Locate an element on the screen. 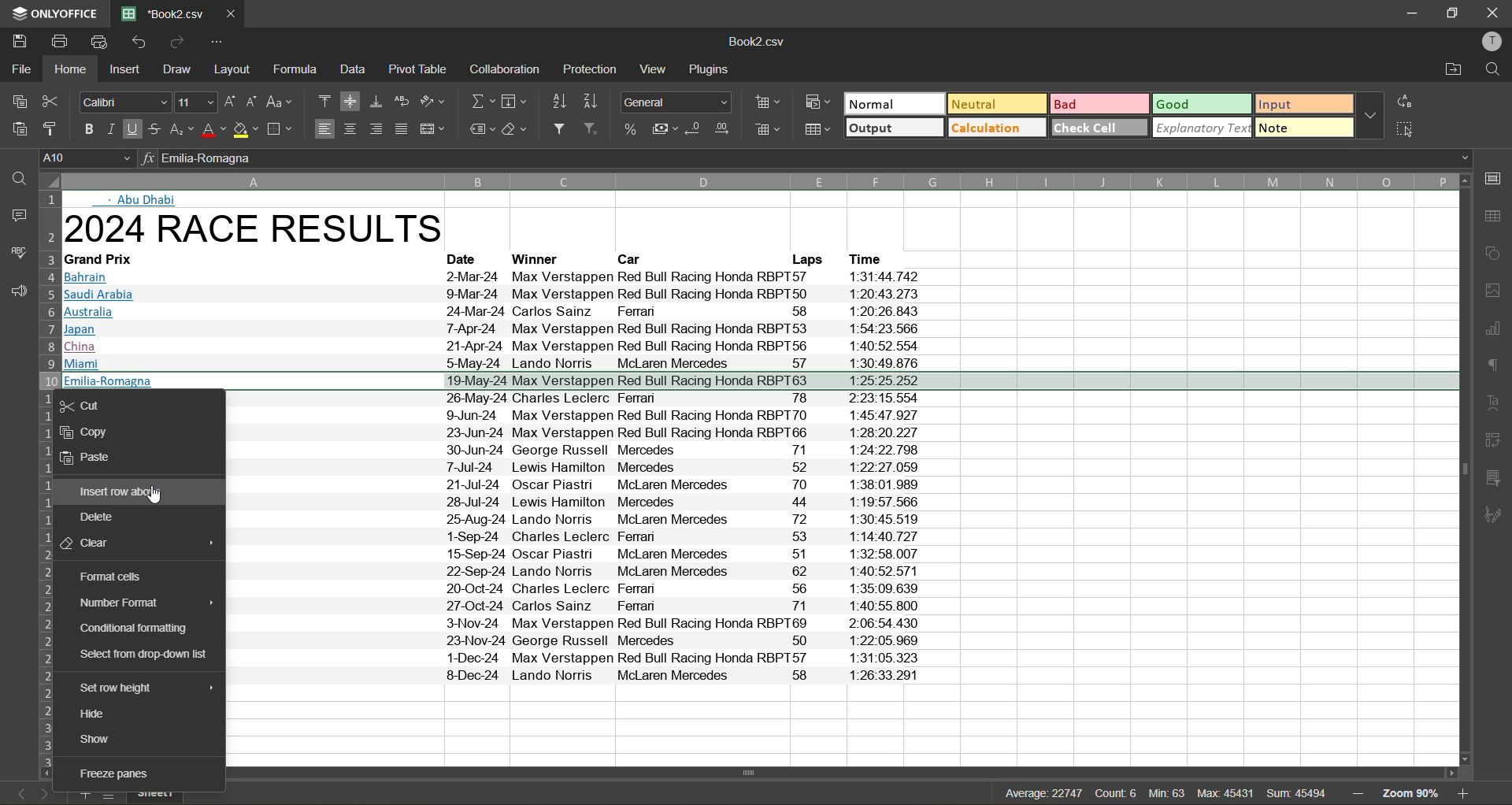 This screenshot has height=805, width=1512. note is located at coordinates (1303, 127).